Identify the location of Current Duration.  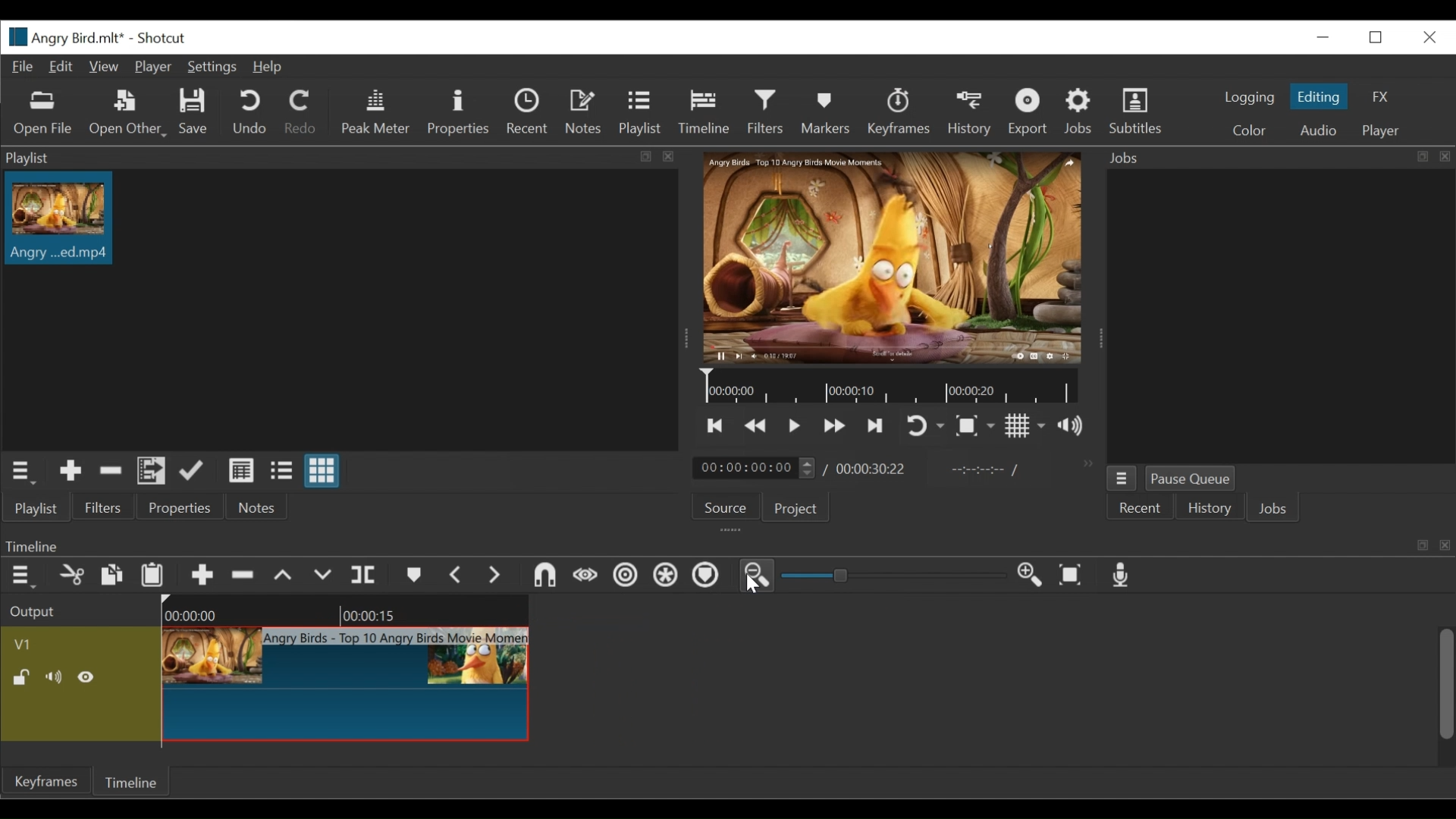
(754, 469).